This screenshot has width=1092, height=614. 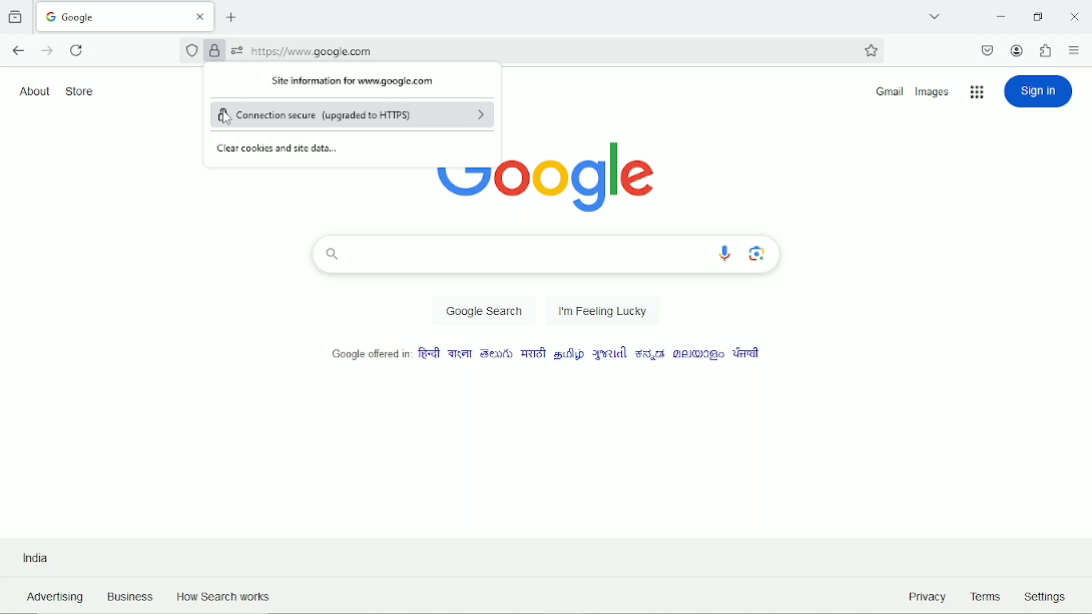 What do you see at coordinates (35, 556) in the screenshot?
I see `India` at bounding box center [35, 556].